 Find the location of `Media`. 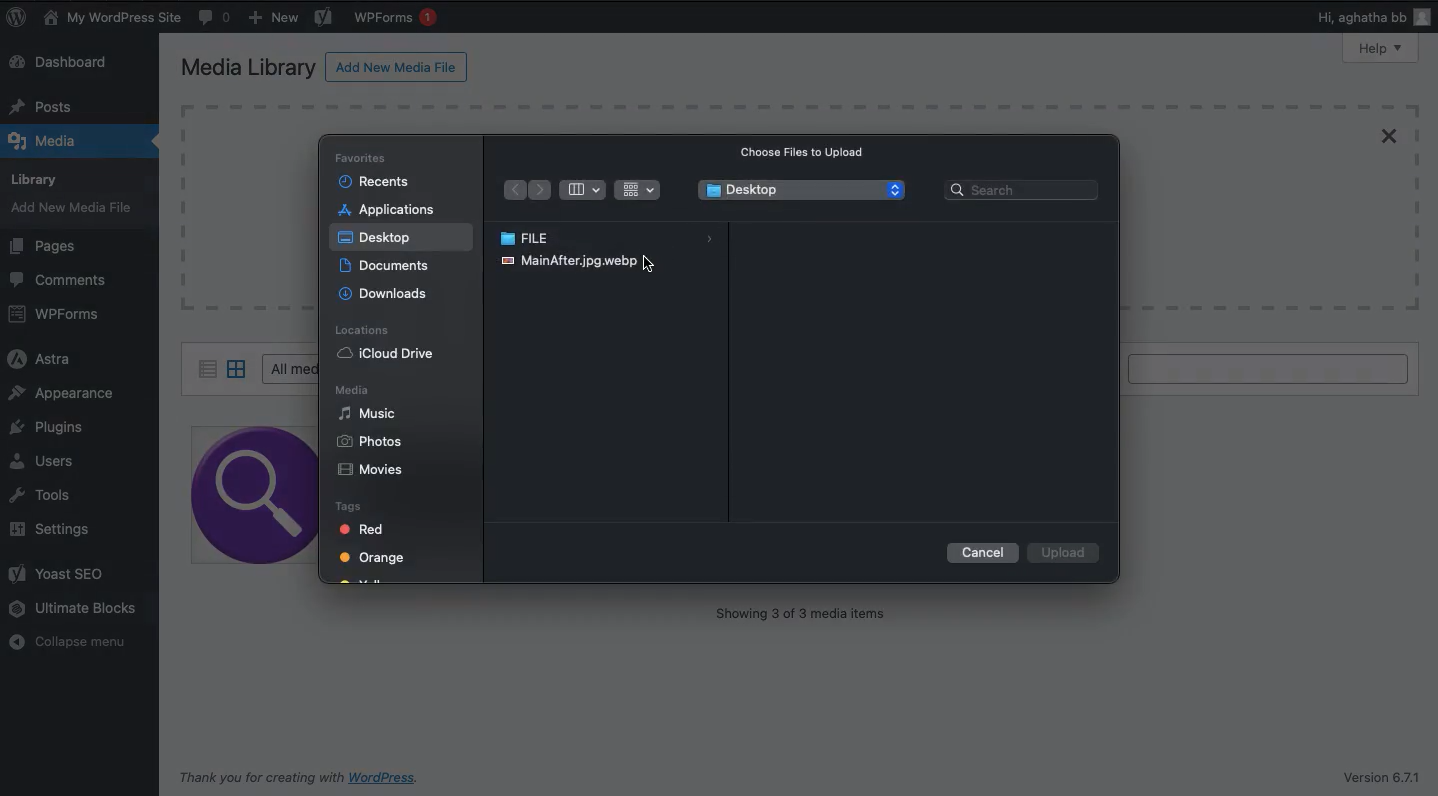

Media is located at coordinates (354, 389).